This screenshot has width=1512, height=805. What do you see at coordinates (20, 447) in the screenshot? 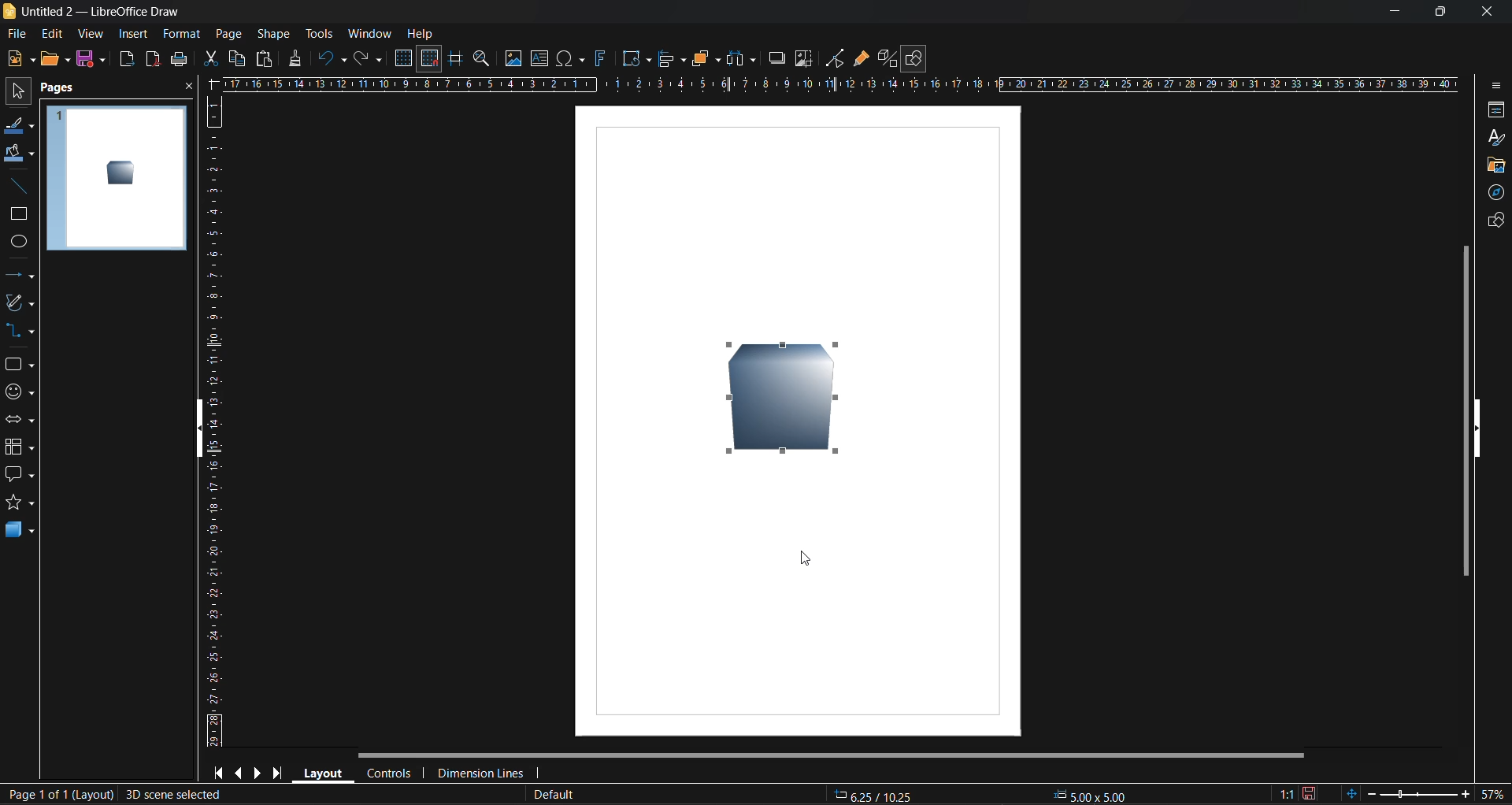
I see `flowchart` at bounding box center [20, 447].